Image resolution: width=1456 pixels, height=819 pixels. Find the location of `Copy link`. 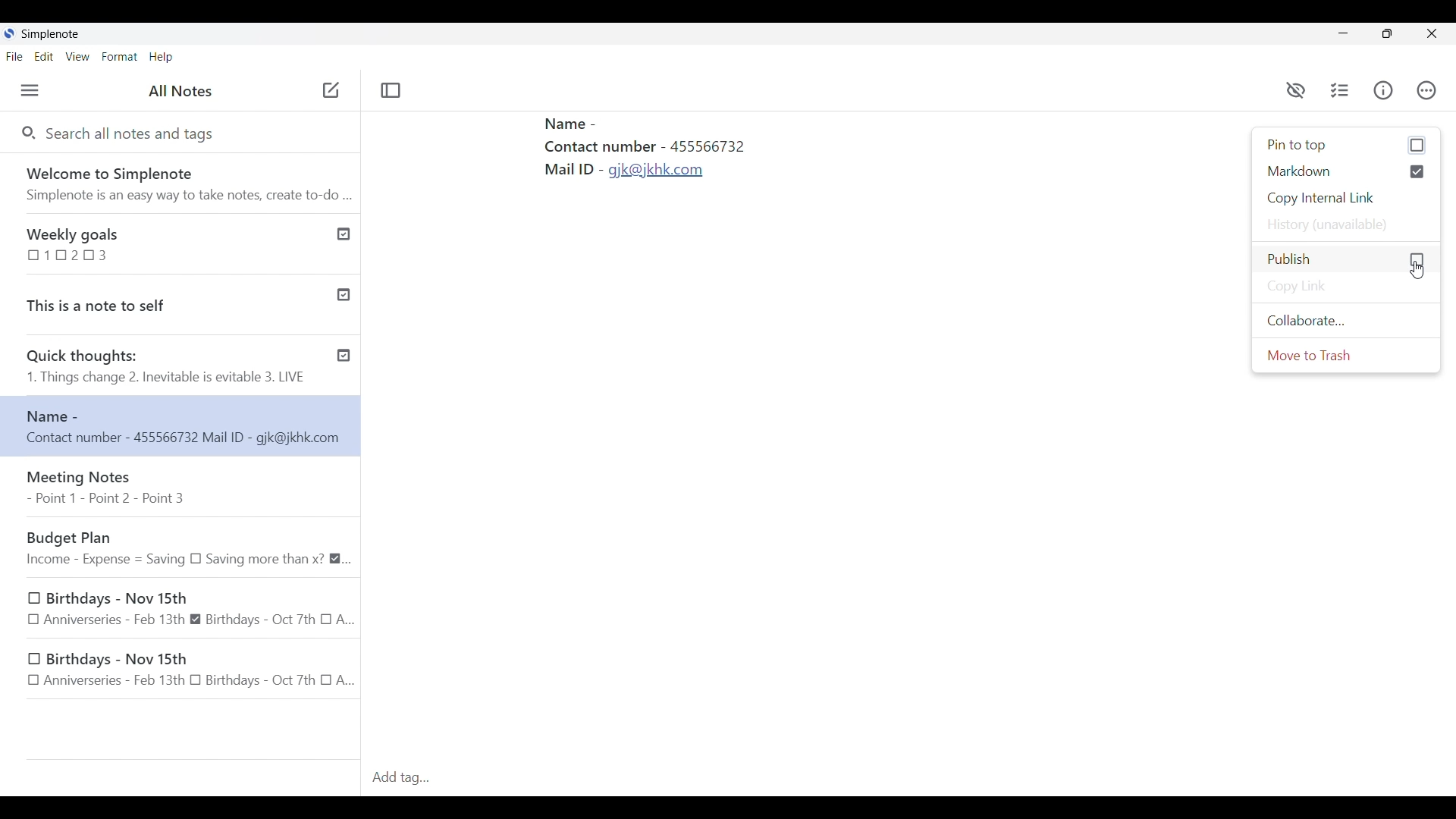

Copy link is located at coordinates (1346, 287).